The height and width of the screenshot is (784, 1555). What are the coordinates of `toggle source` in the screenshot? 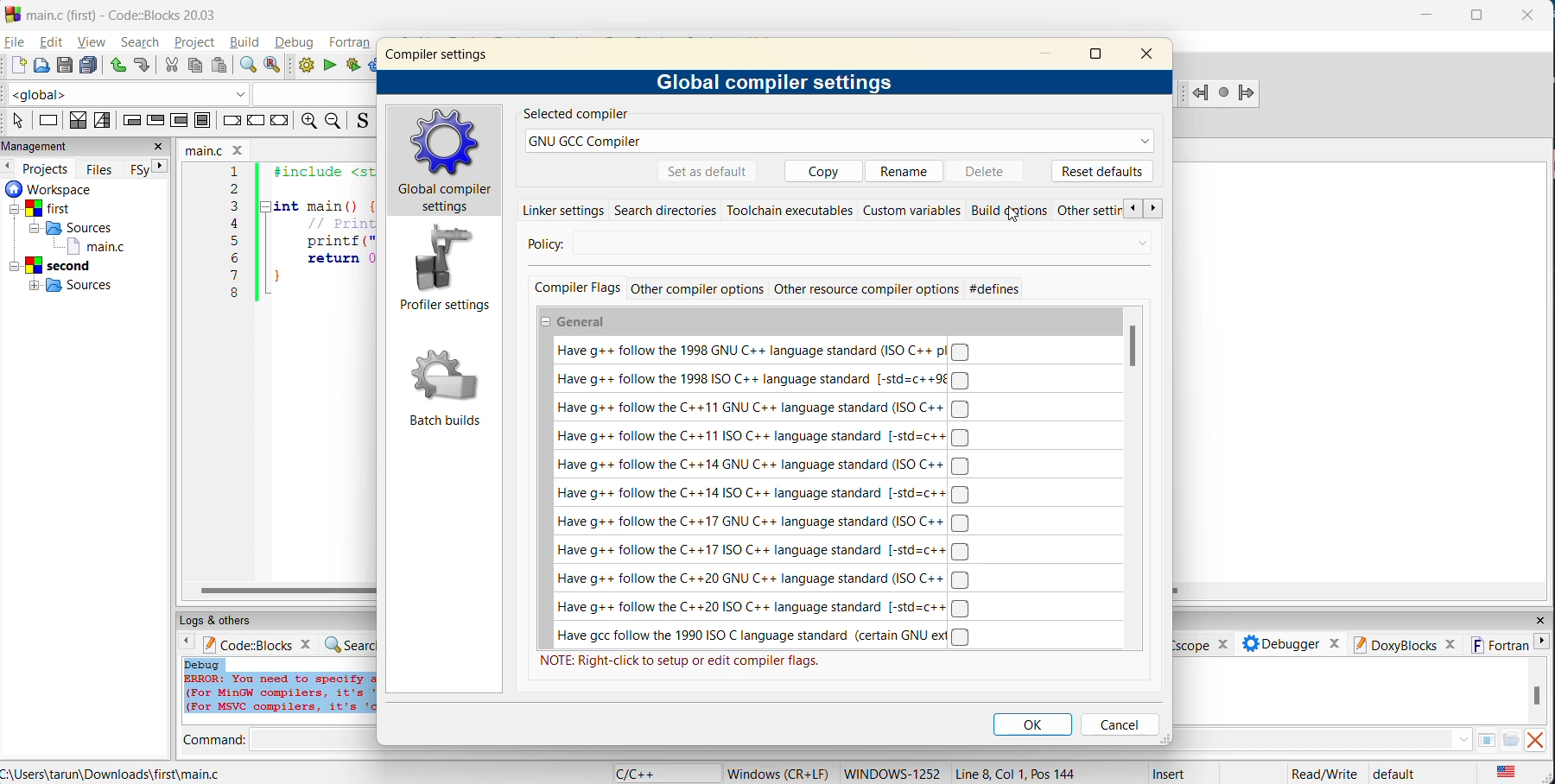 It's located at (361, 122).